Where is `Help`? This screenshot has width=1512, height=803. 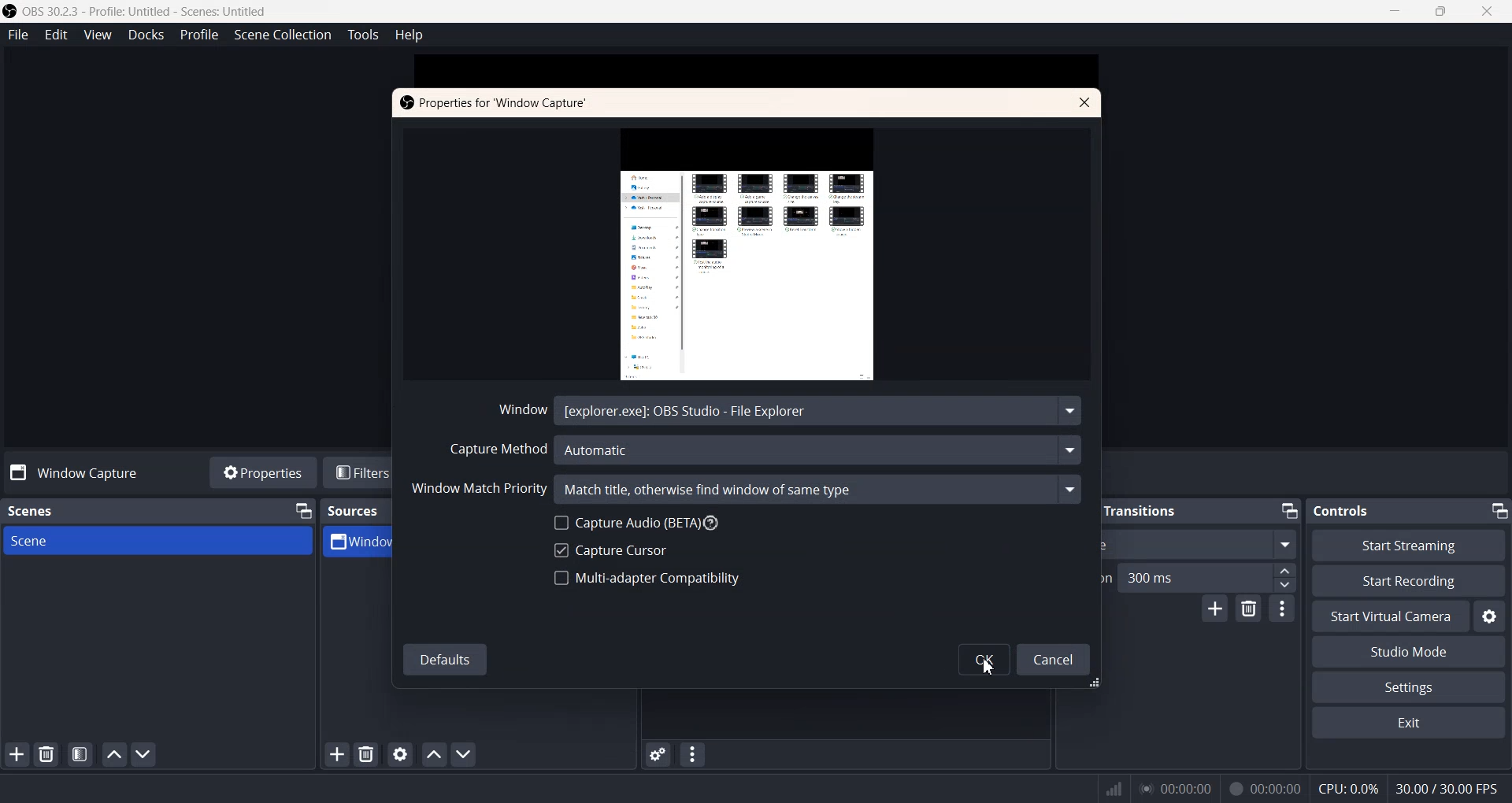
Help is located at coordinates (411, 35).